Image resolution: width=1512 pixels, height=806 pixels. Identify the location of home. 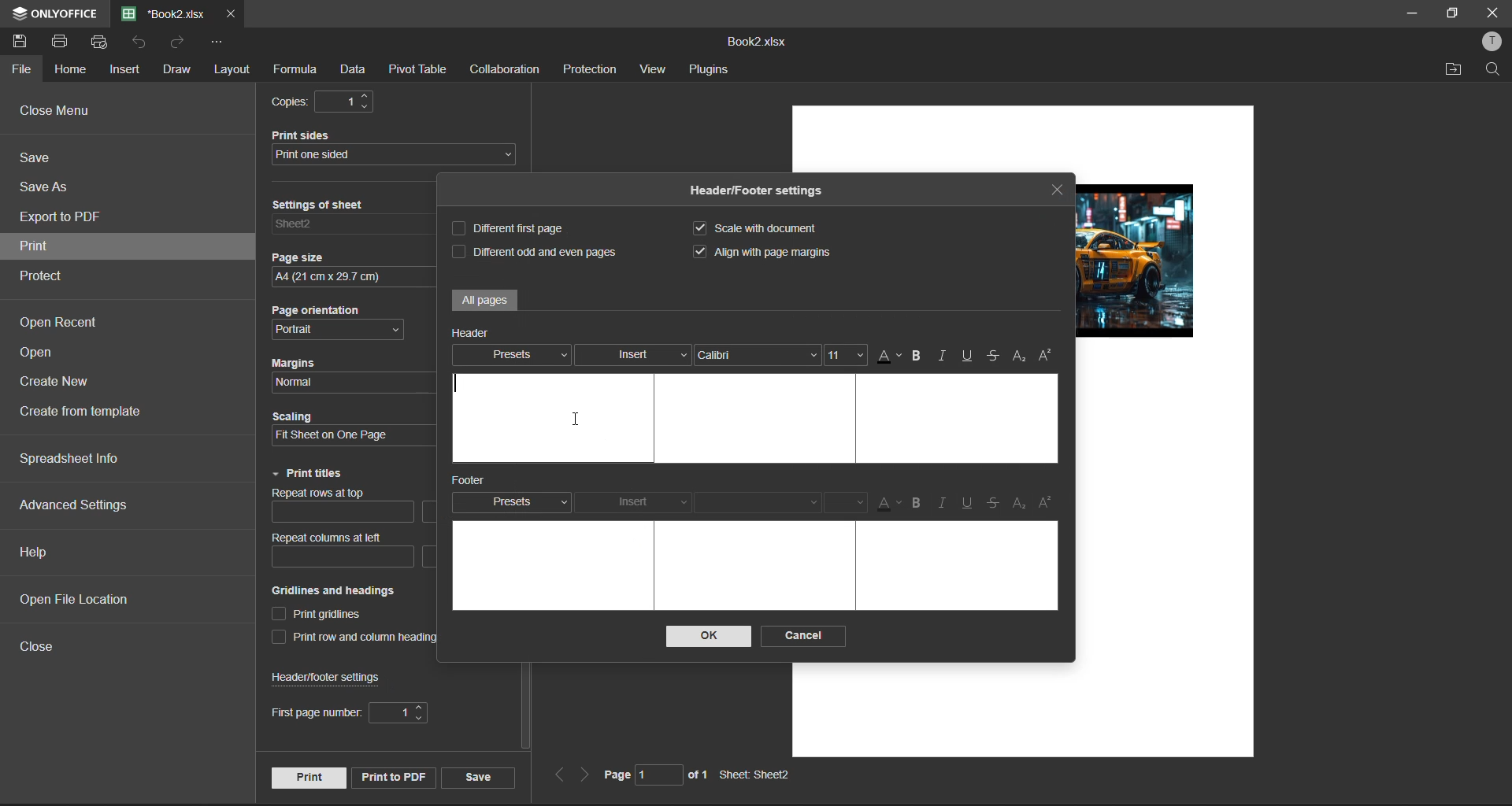
(73, 68).